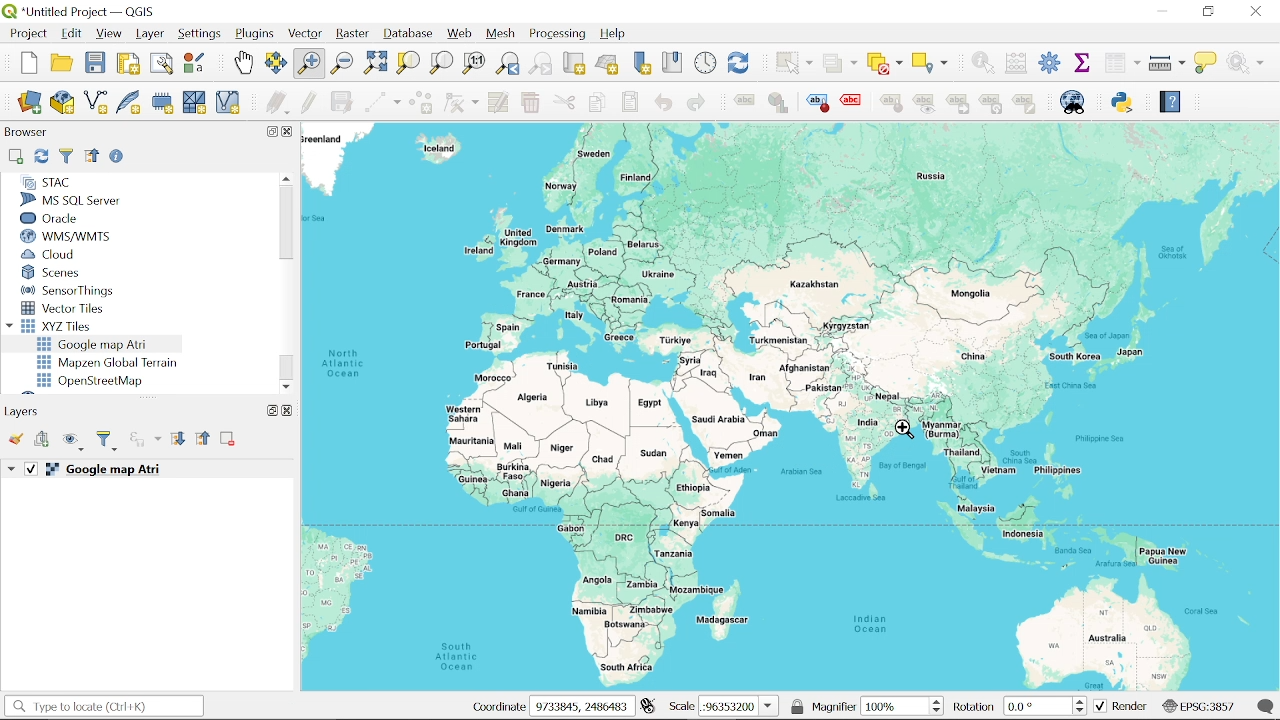  What do you see at coordinates (648, 706) in the screenshot?
I see `longnitude latitude` at bounding box center [648, 706].